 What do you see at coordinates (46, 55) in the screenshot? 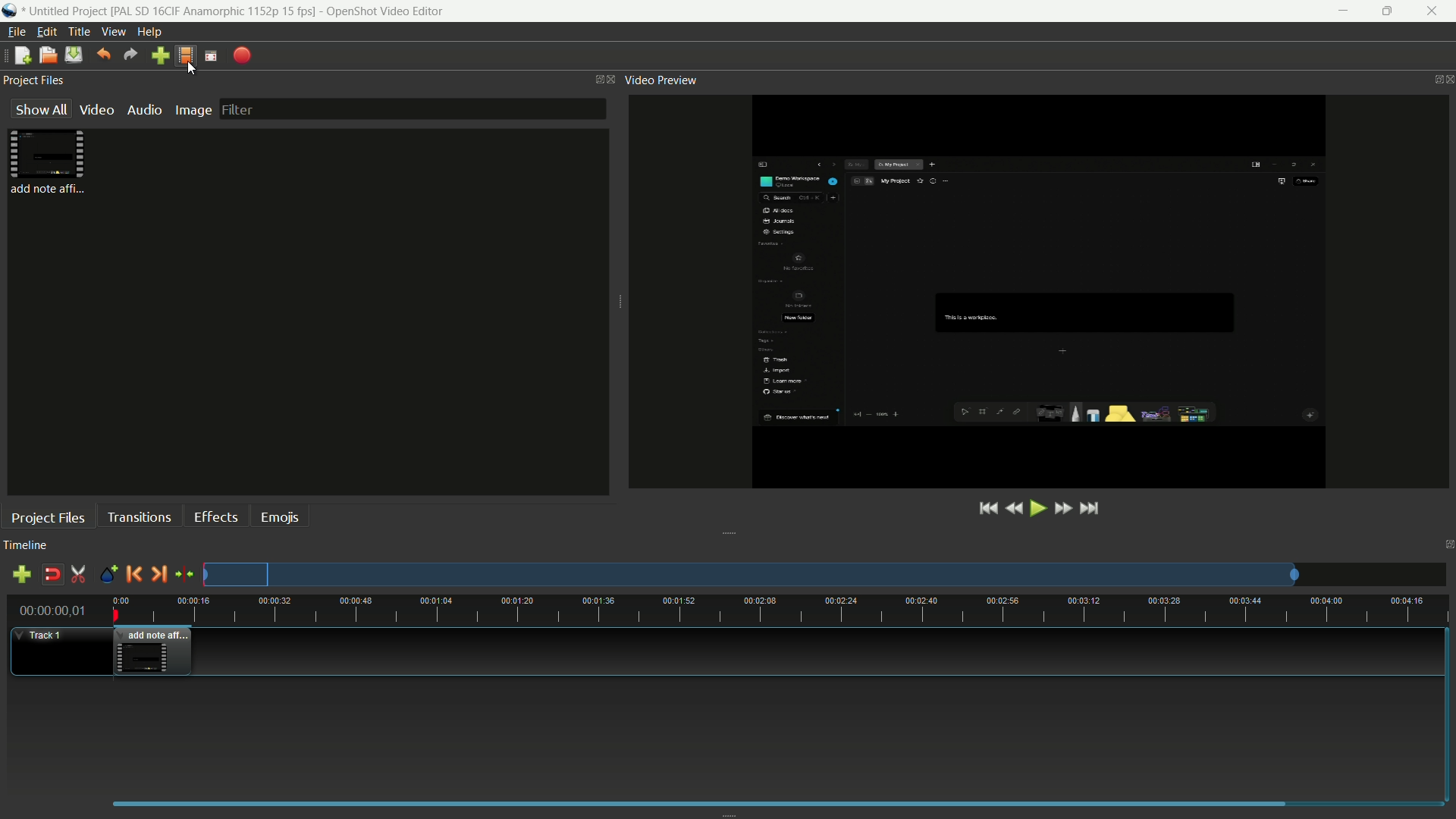
I see `open file` at bounding box center [46, 55].